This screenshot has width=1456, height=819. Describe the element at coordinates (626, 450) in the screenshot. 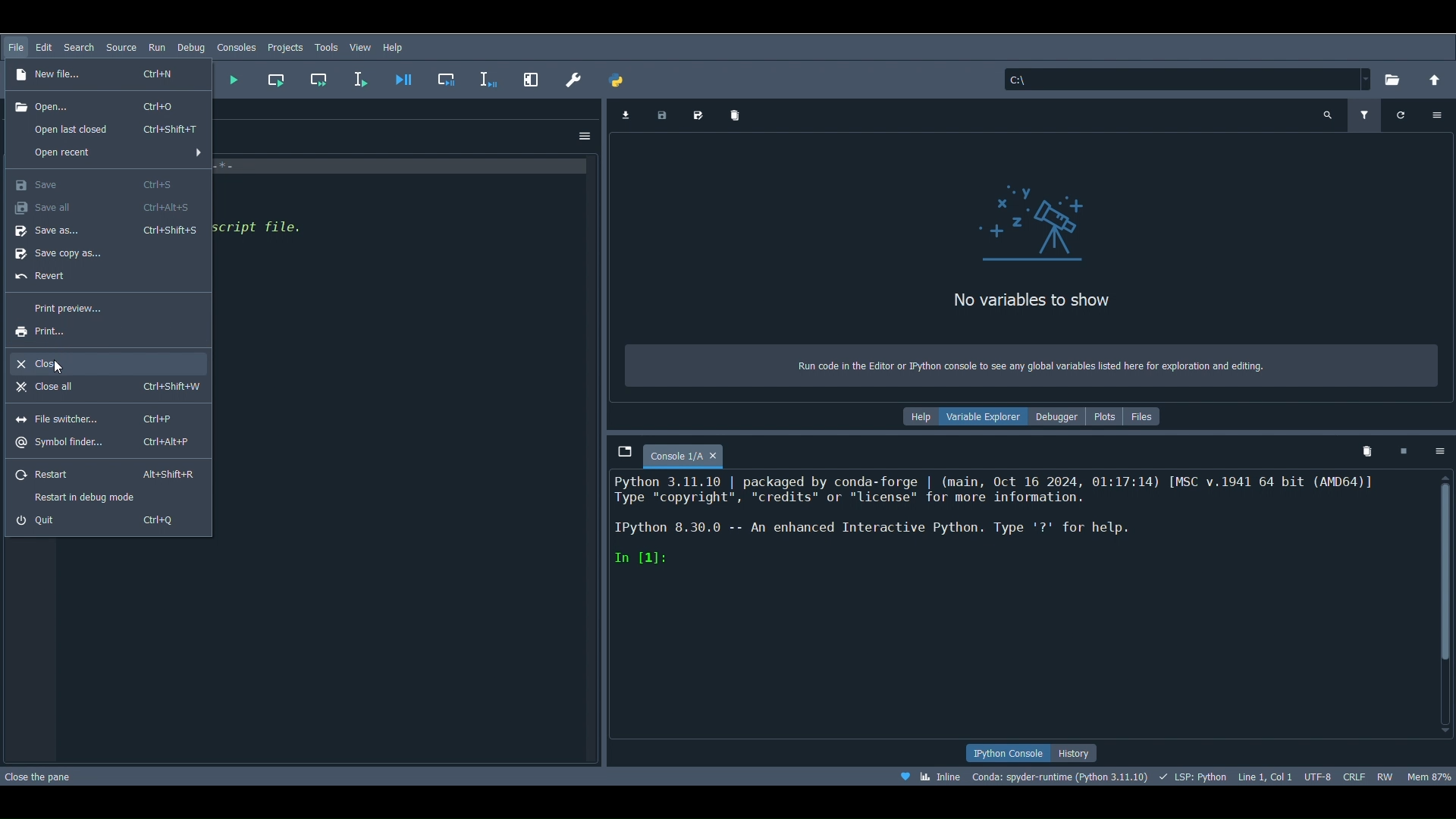

I see `Browse tabs` at that location.